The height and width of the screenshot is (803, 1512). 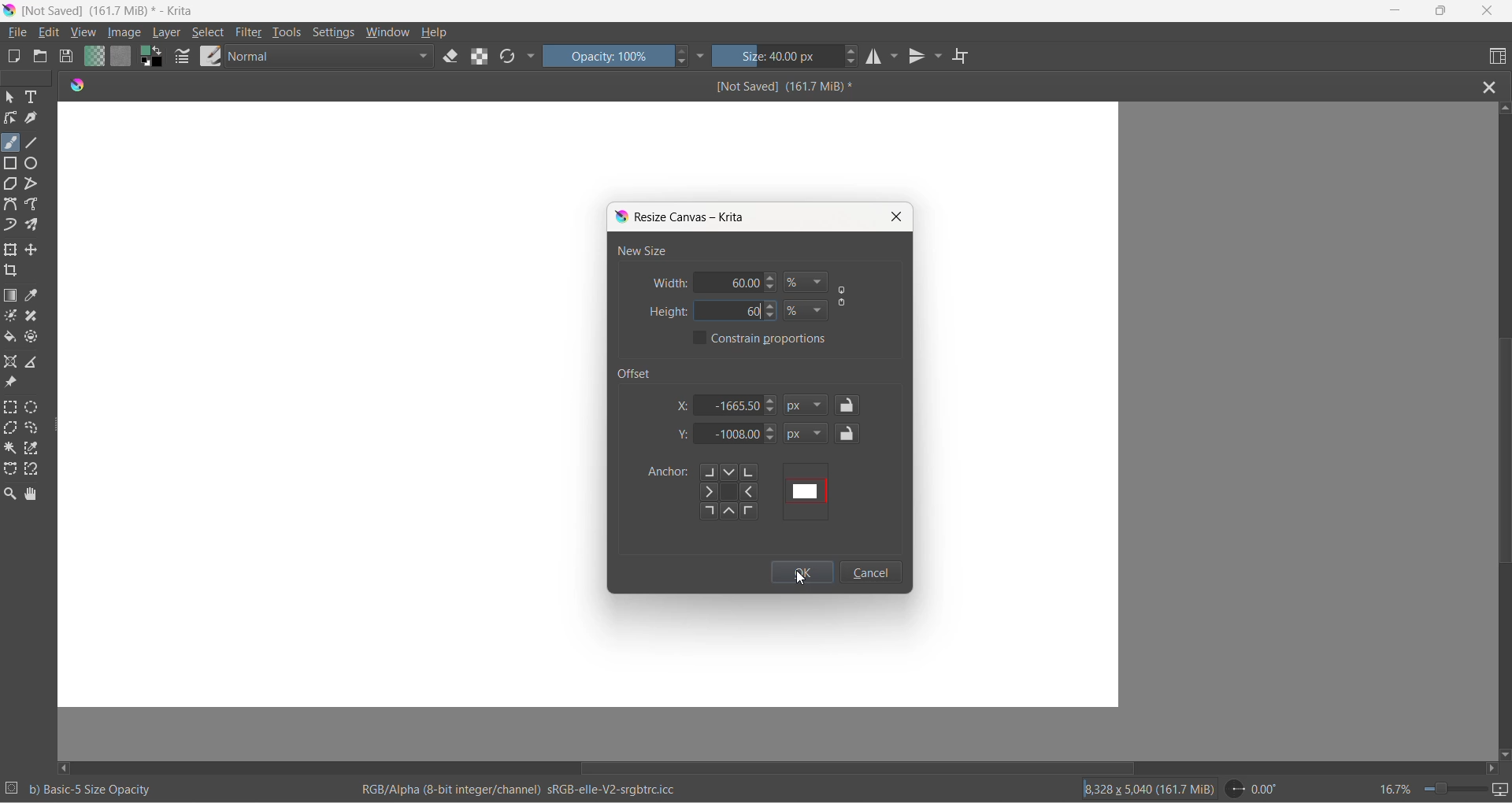 I want to click on blenders mode, so click(x=332, y=58).